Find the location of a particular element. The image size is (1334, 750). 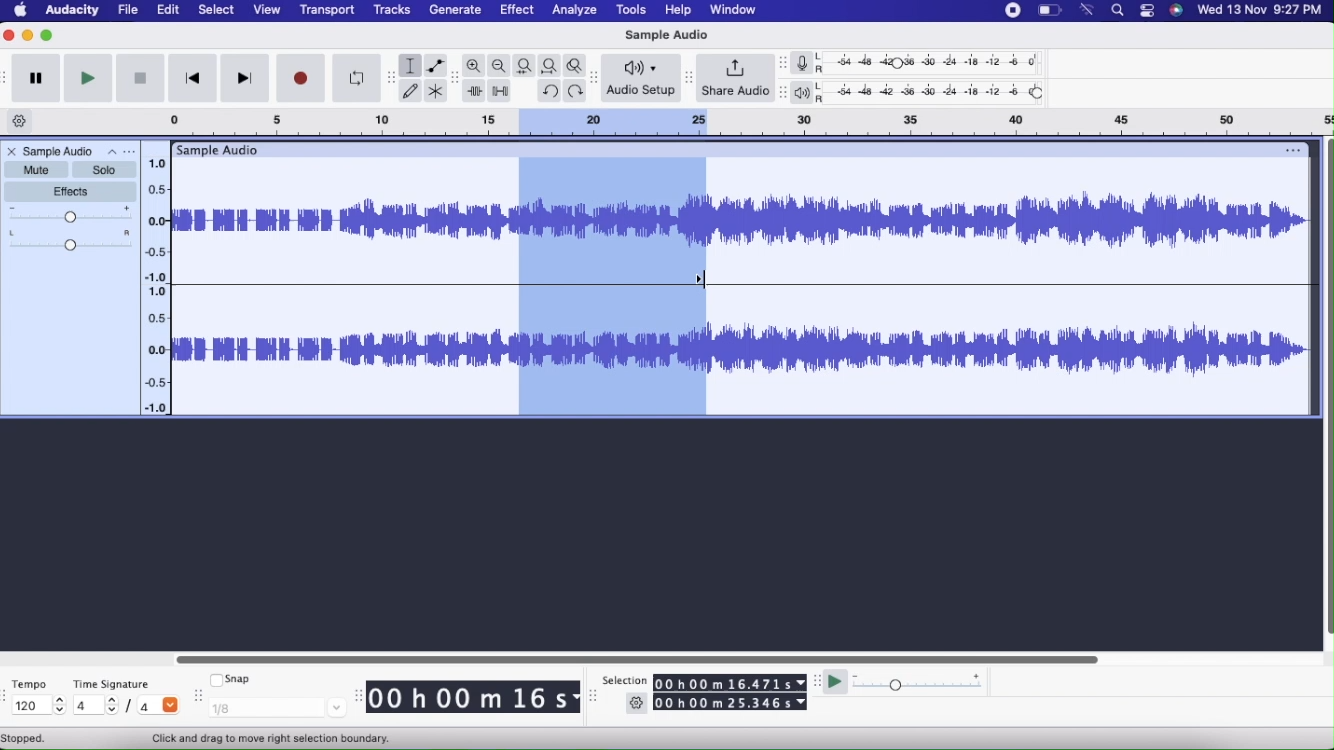

transport is located at coordinates (329, 11).